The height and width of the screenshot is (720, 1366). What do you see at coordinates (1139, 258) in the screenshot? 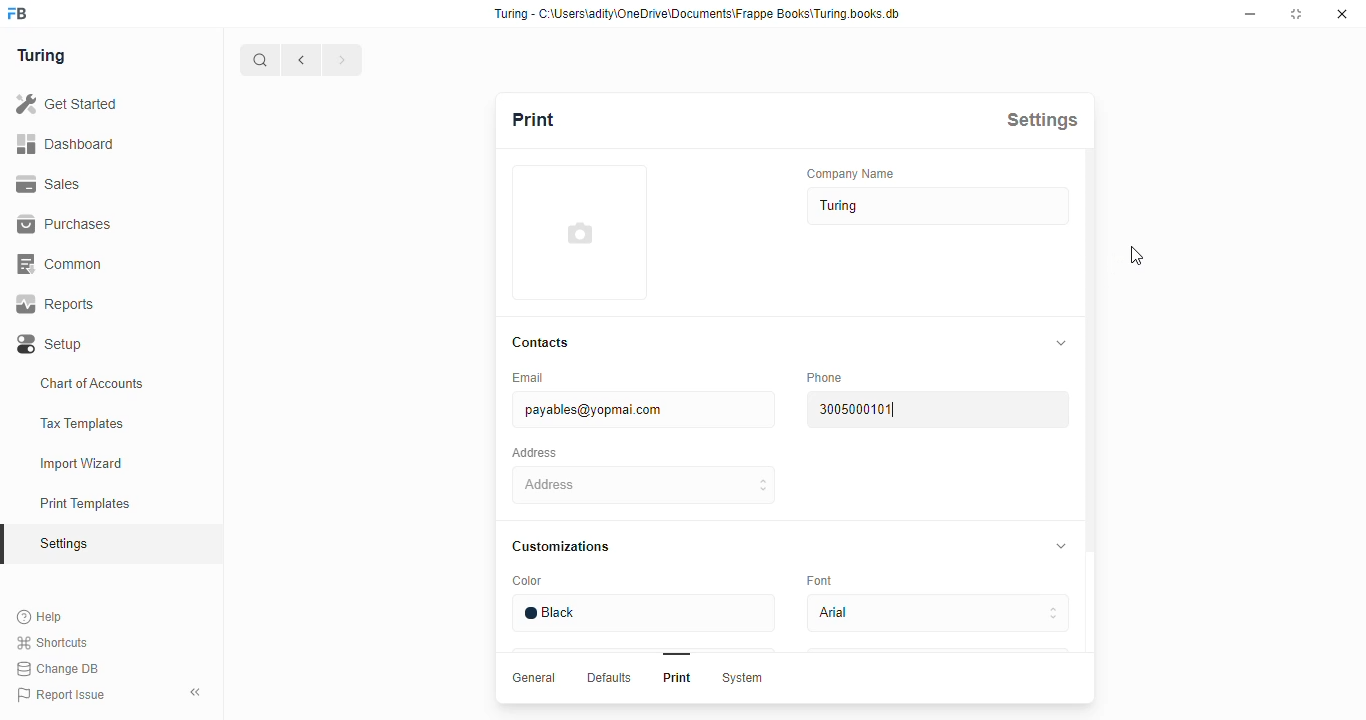
I see `cursor` at bounding box center [1139, 258].